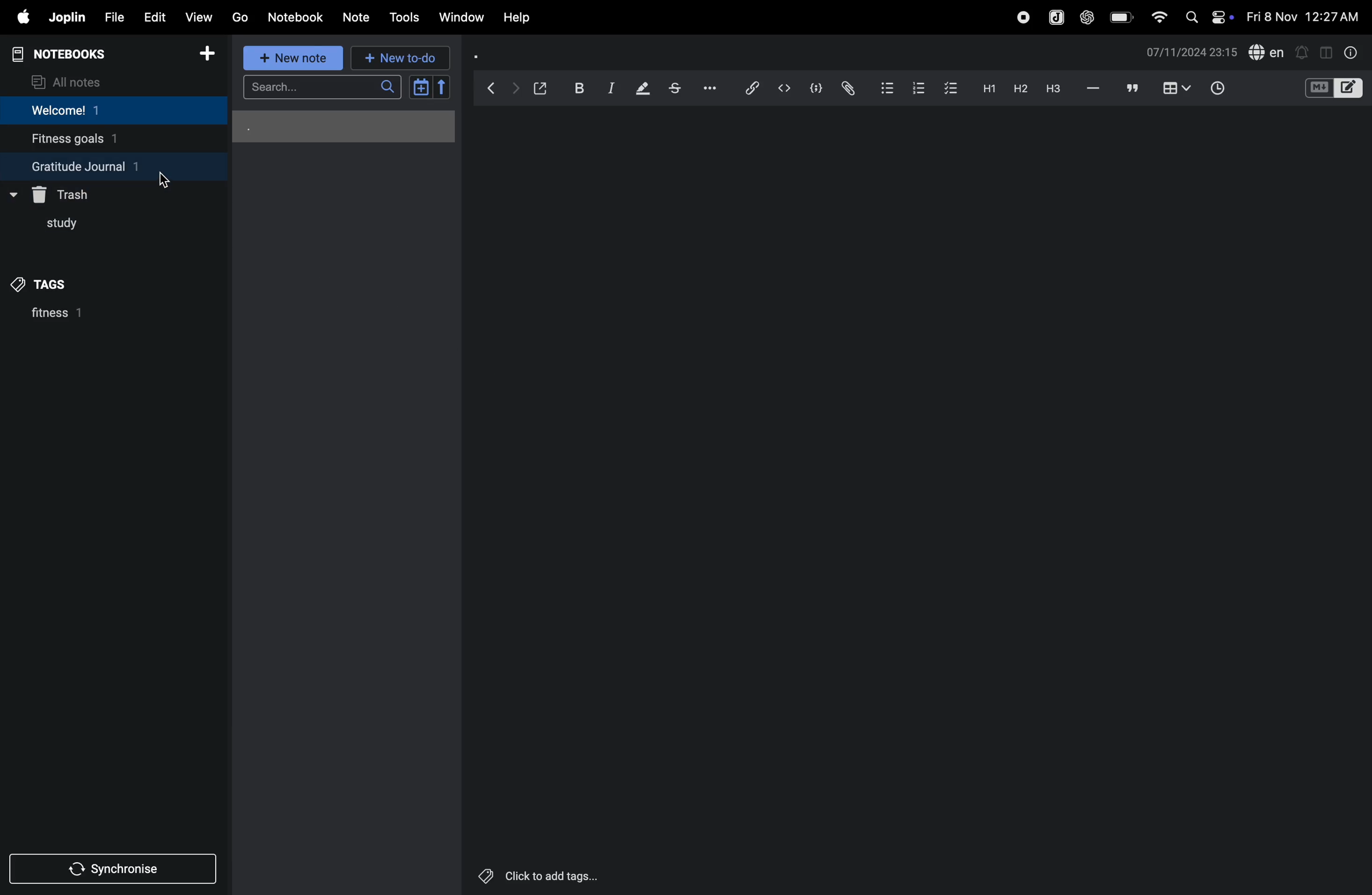  Describe the element at coordinates (68, 193) in the screenshot. I see `trash` at that location.